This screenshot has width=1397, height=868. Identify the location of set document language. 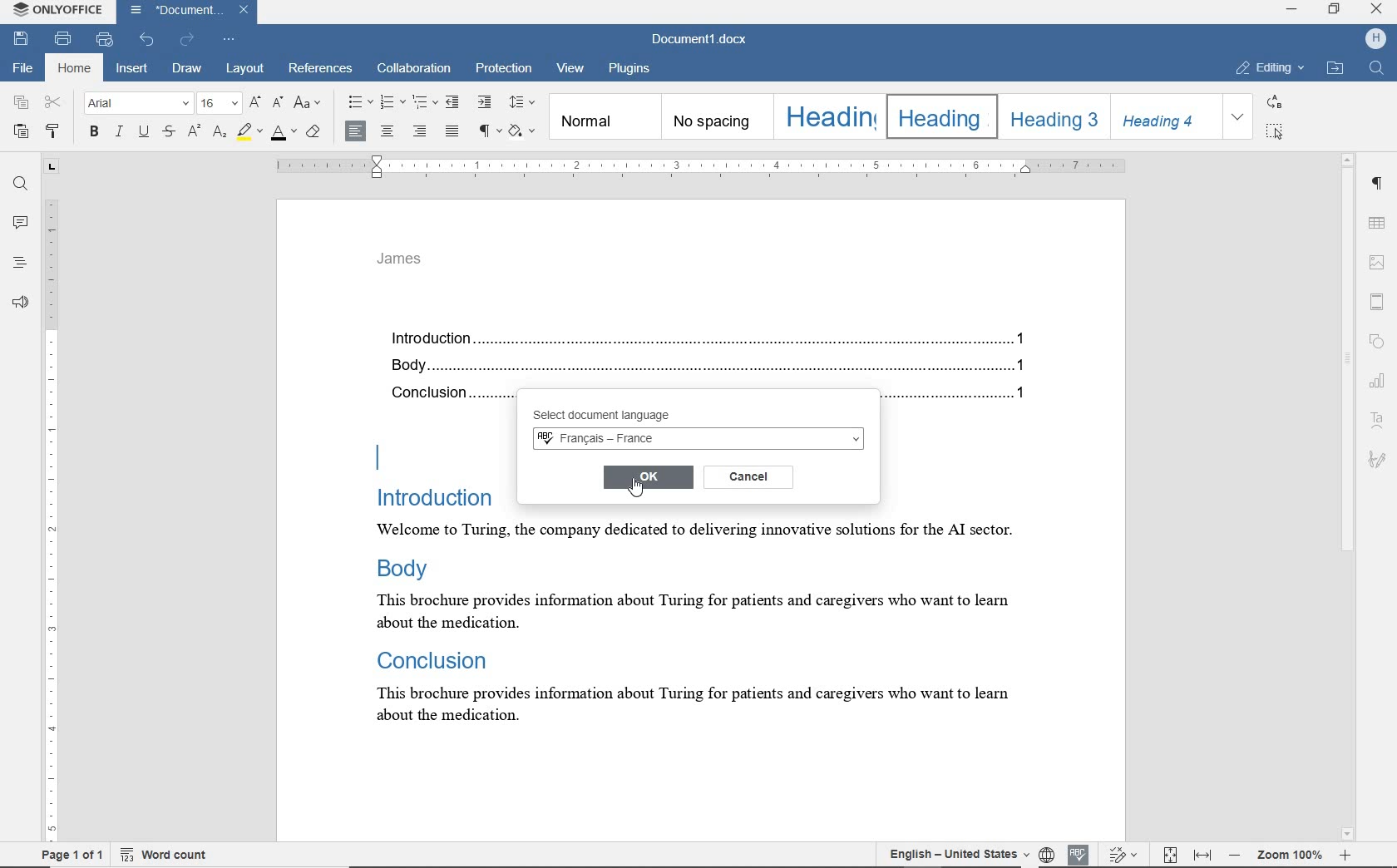
(950, 853).